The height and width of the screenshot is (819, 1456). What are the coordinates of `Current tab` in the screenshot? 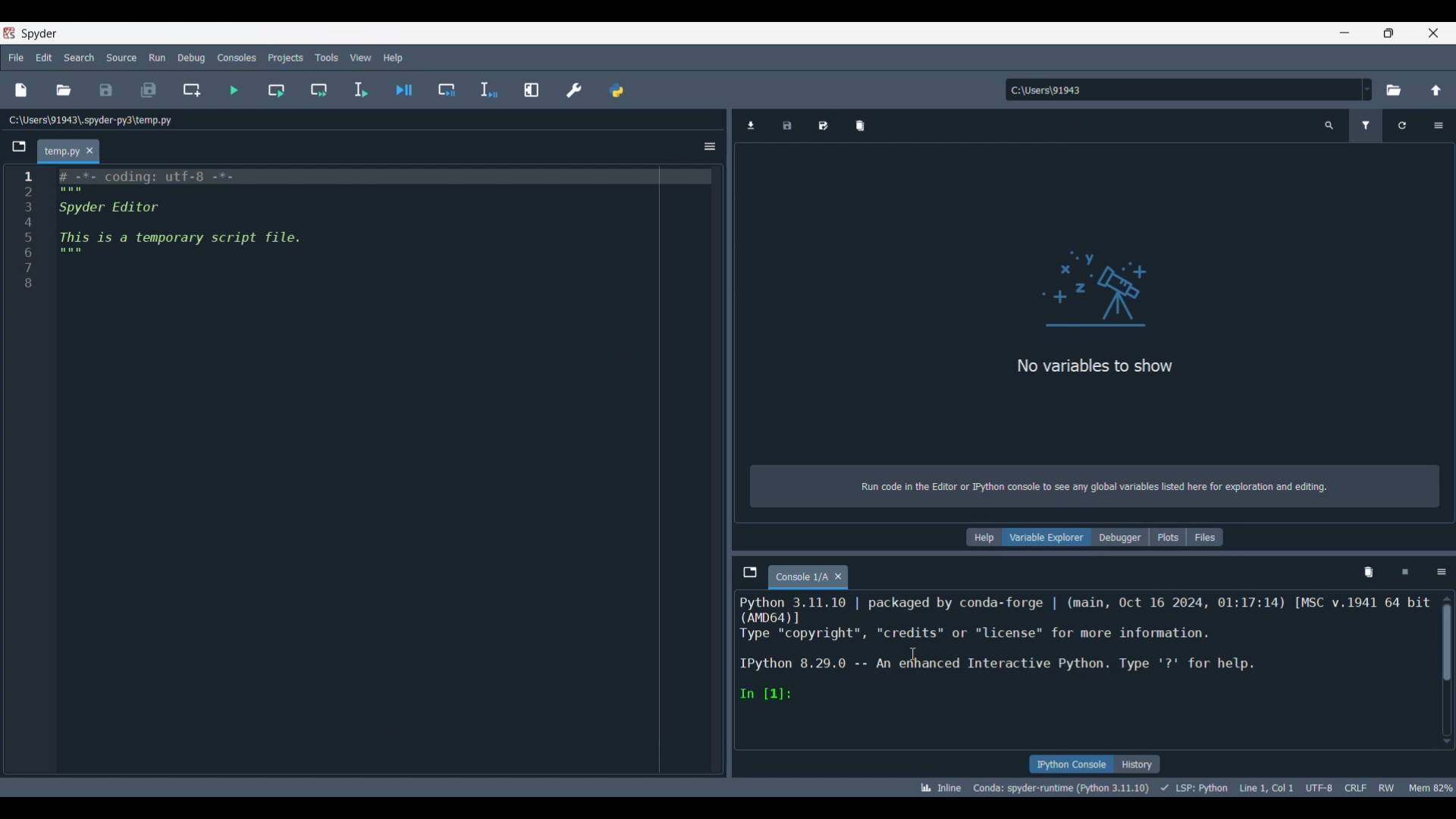 It's located at (800, 578).